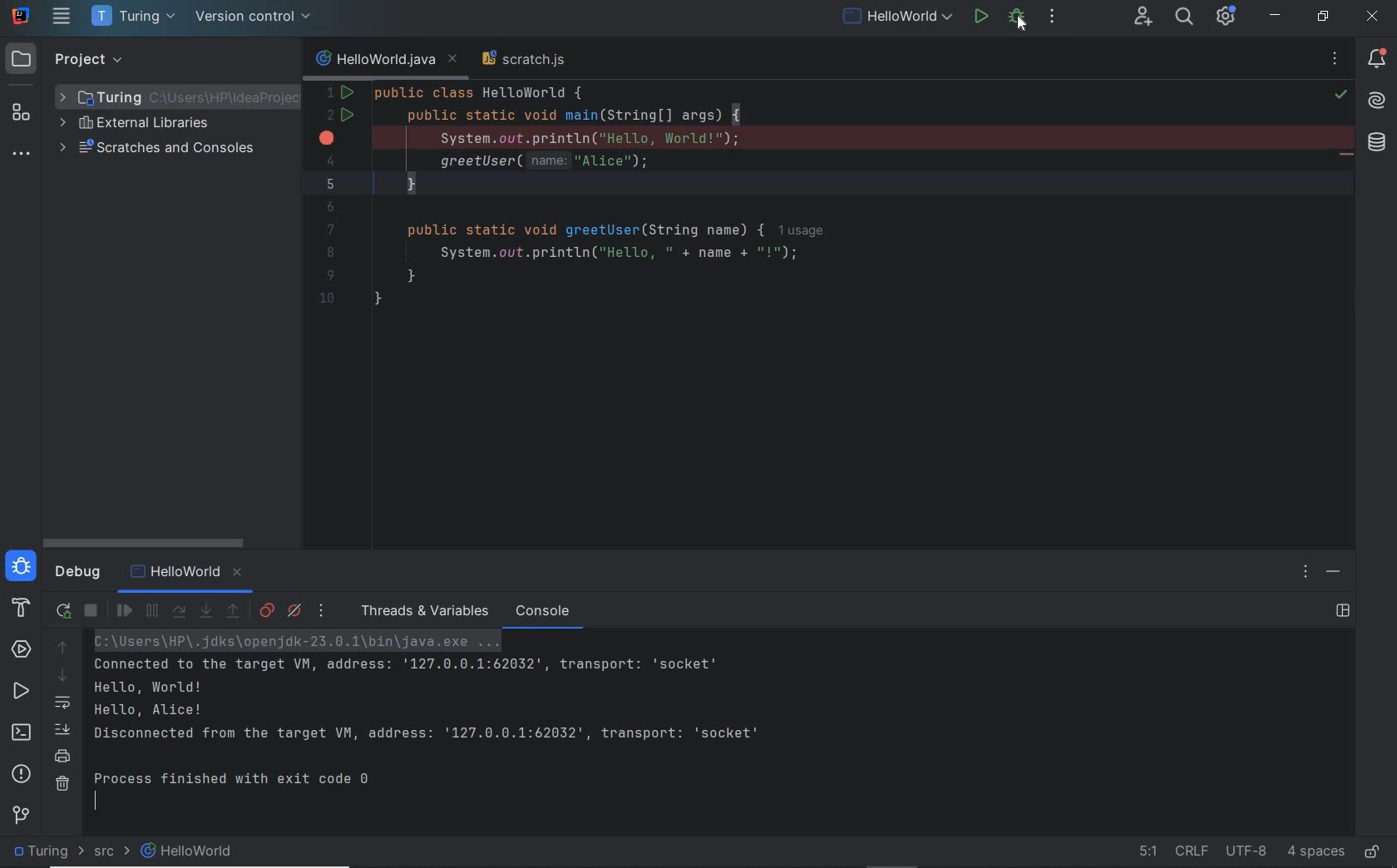  Describe the element at coordinates (1370, 853) in the screenshot. I see `make file ready only` at that location.